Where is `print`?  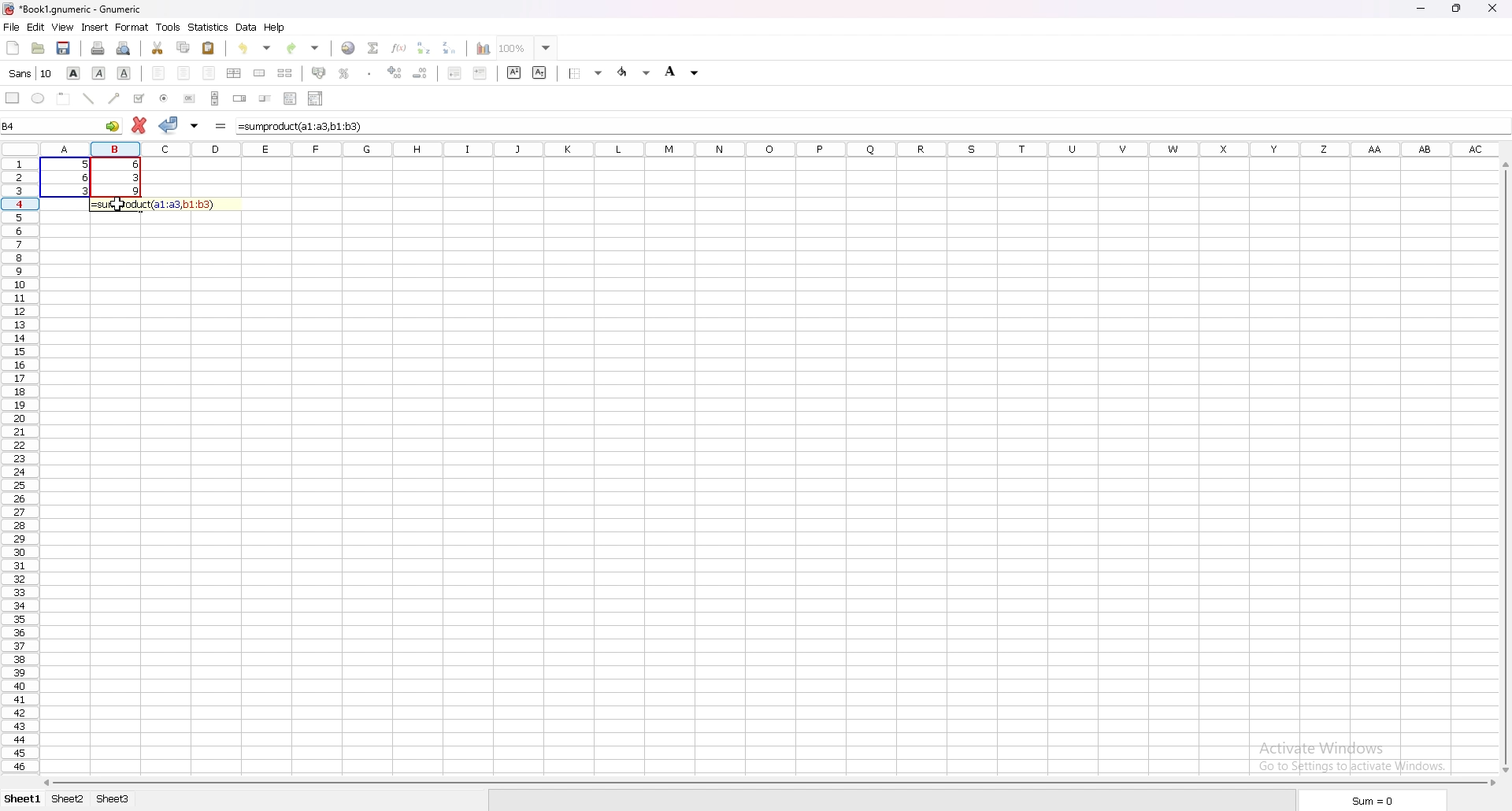 print is located at coordinates (97, 49).